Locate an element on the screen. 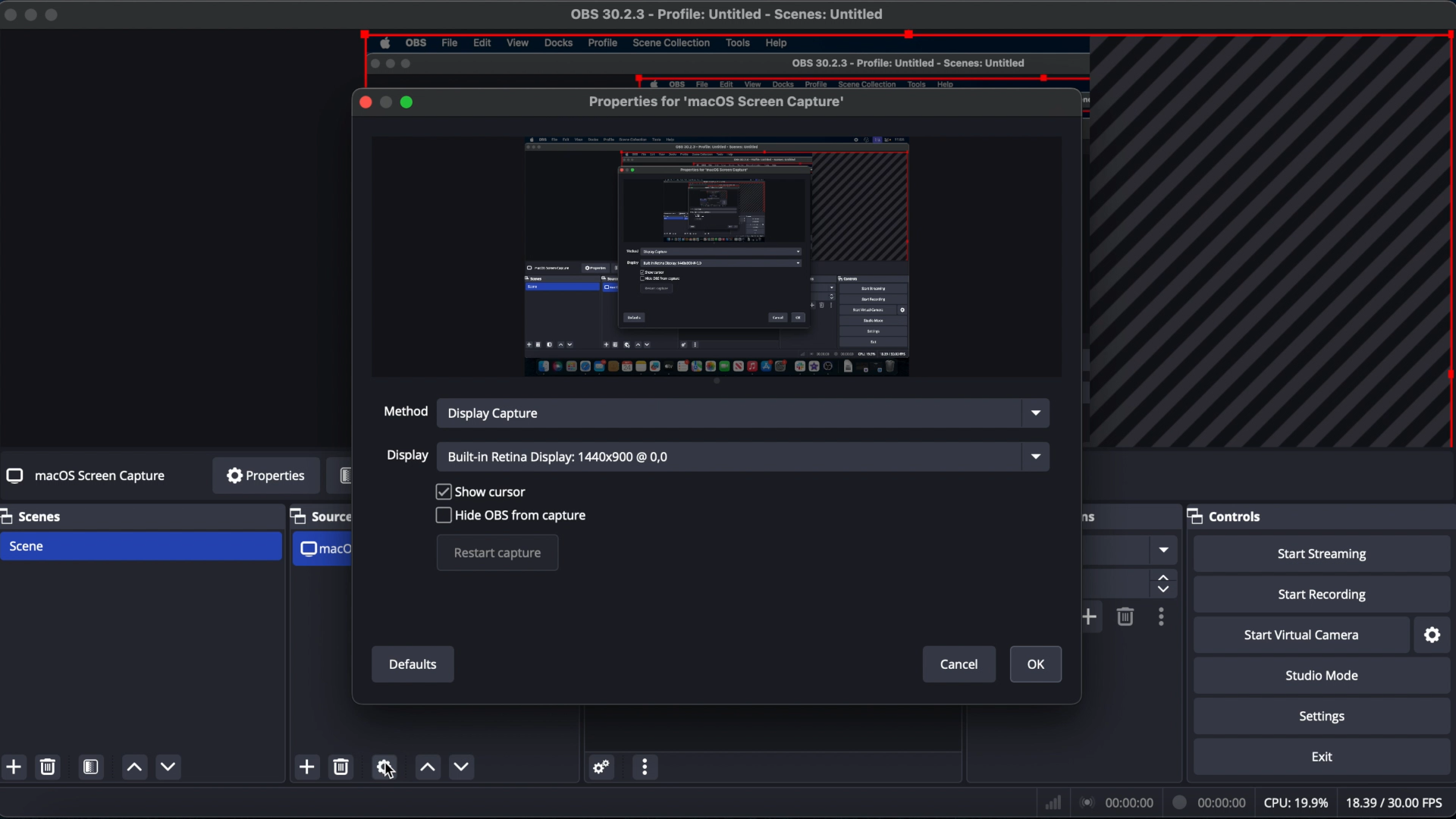 The image size is (1456, 819). advanced audio properties is located at coordinates (602, 767).